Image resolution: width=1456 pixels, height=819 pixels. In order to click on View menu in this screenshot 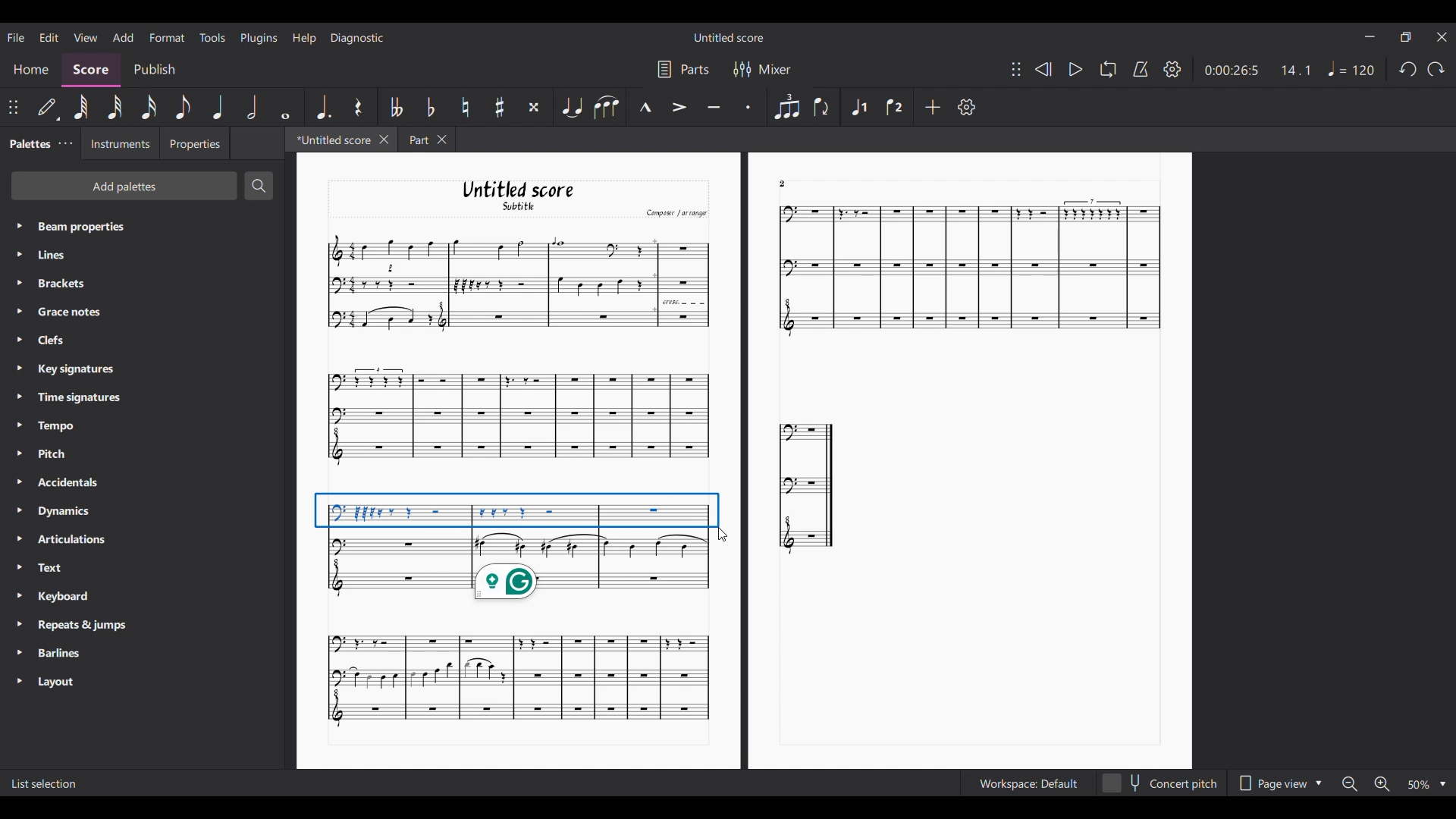, I will do `click(86, 36)`.